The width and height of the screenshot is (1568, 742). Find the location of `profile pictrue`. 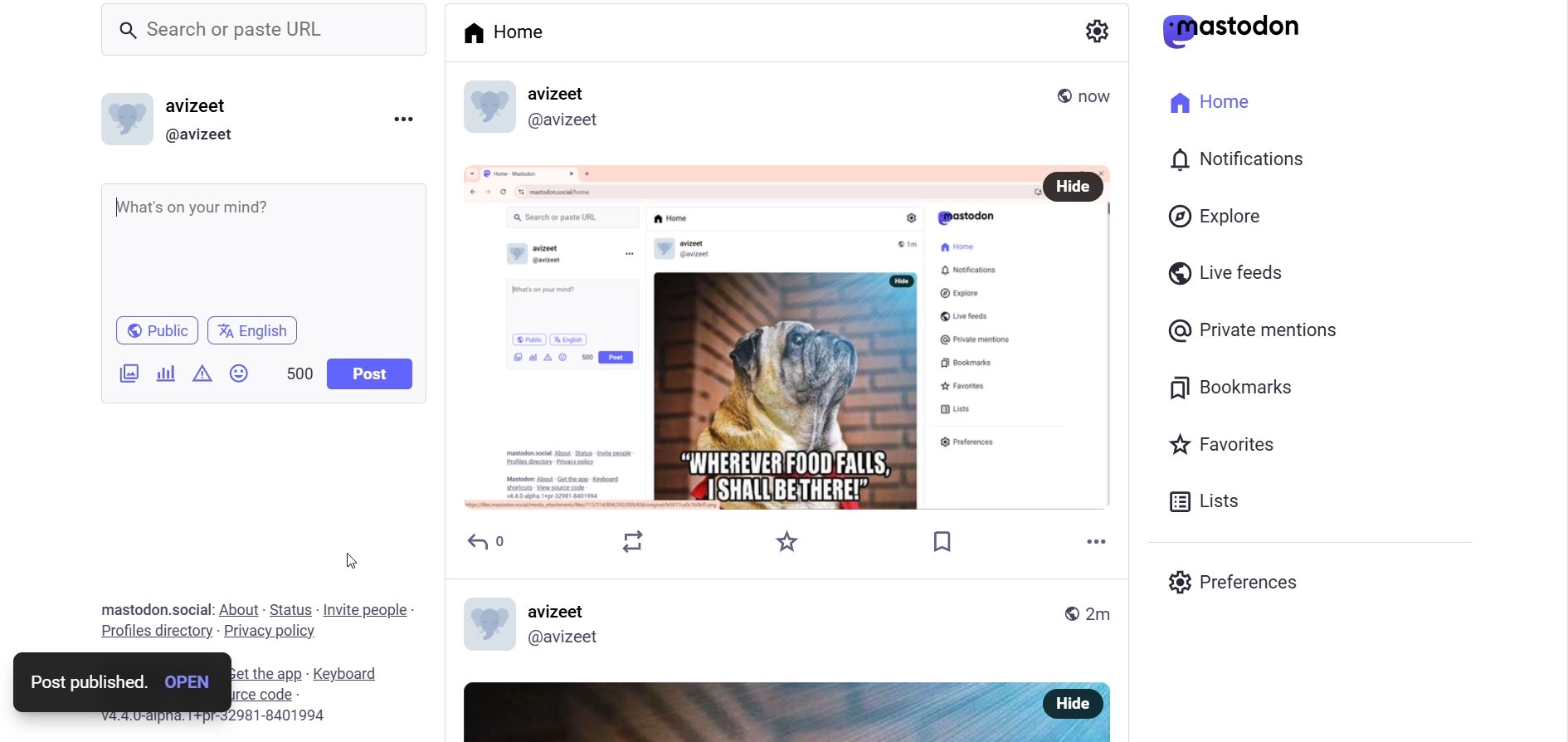

profile pictrue is located at coordinates (488, 105).